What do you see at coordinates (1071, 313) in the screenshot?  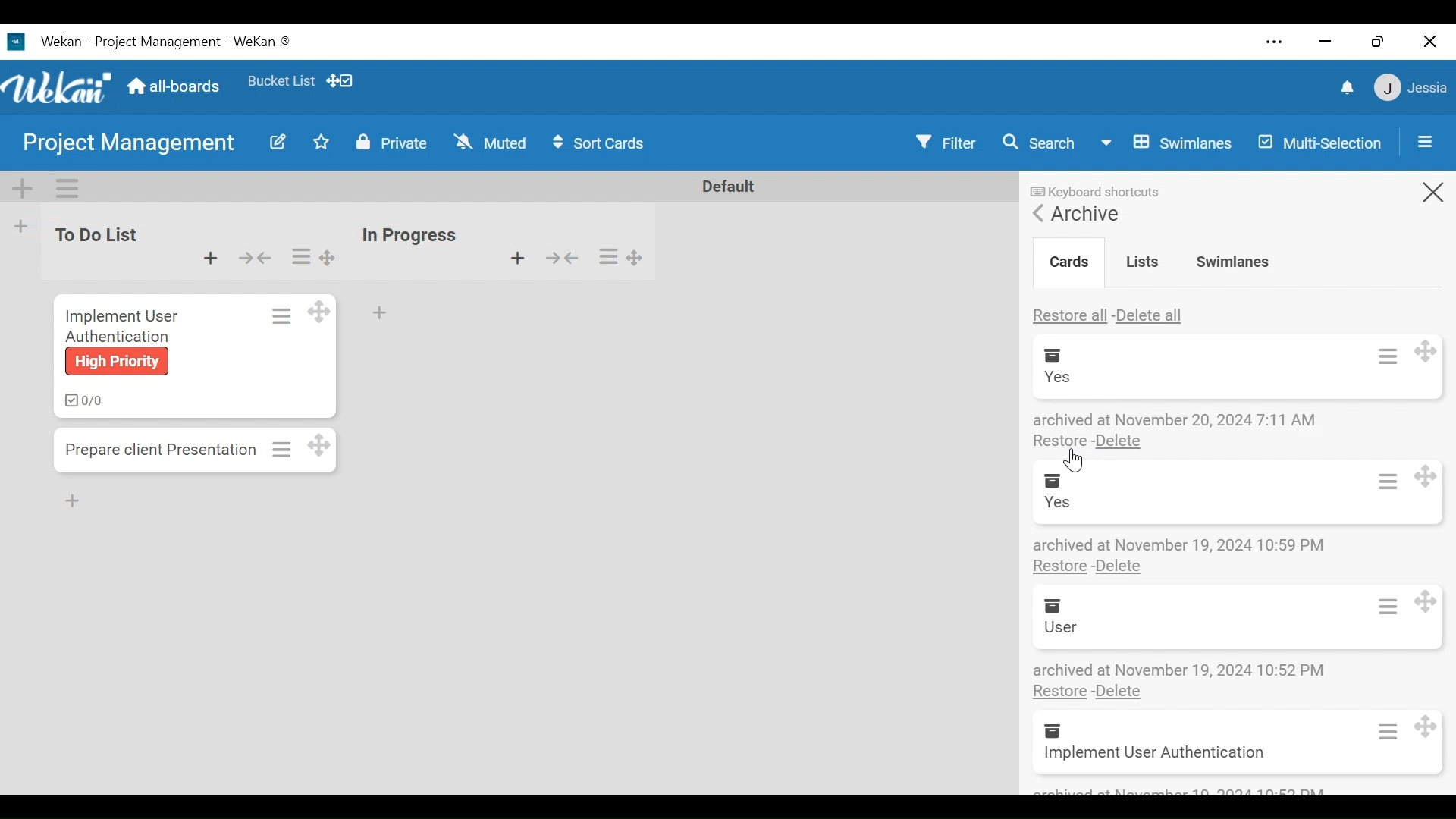 I see `Restore all` at bounding box center [1071, 313].